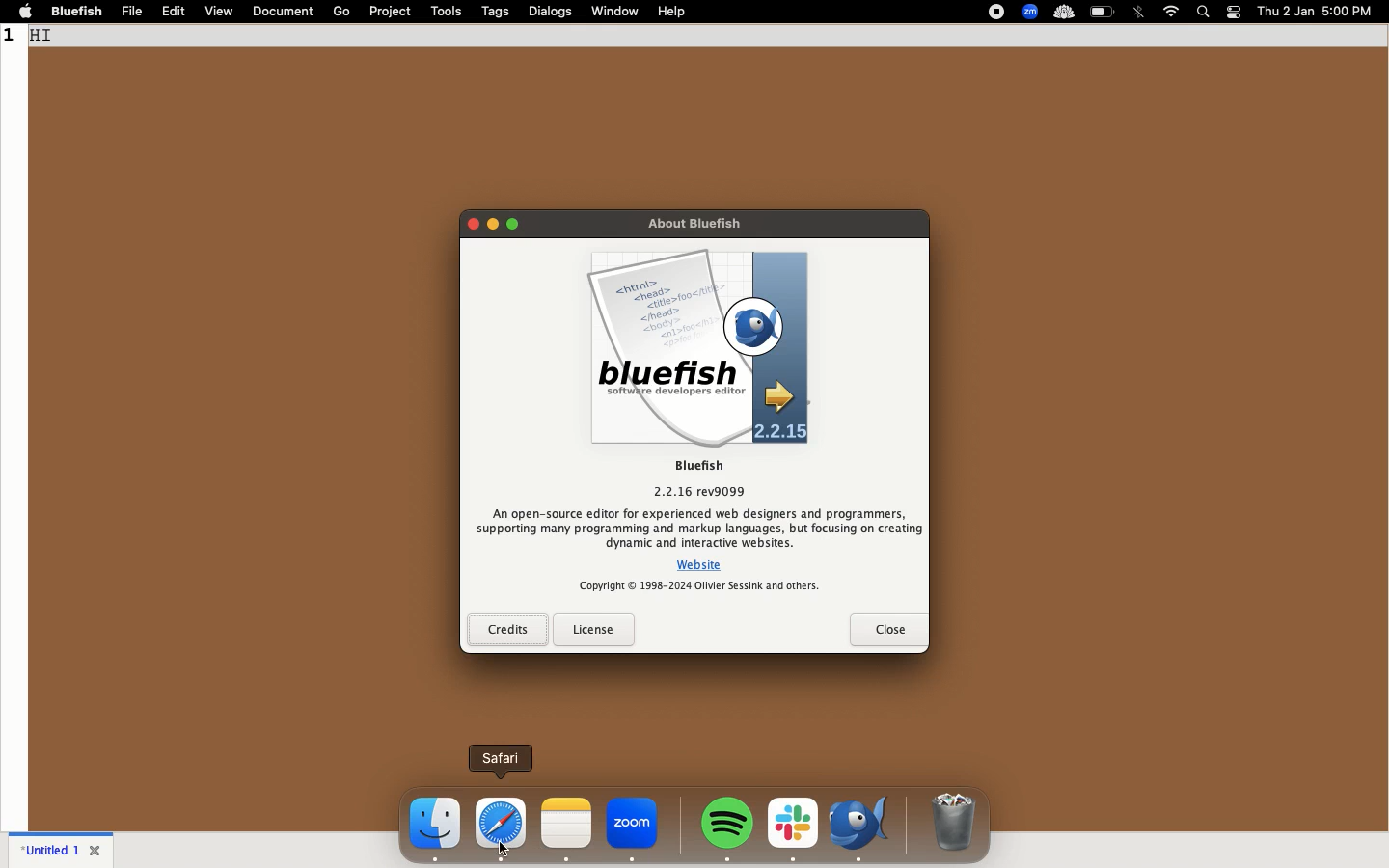  I want to click on dialogs , so click(550, 10).